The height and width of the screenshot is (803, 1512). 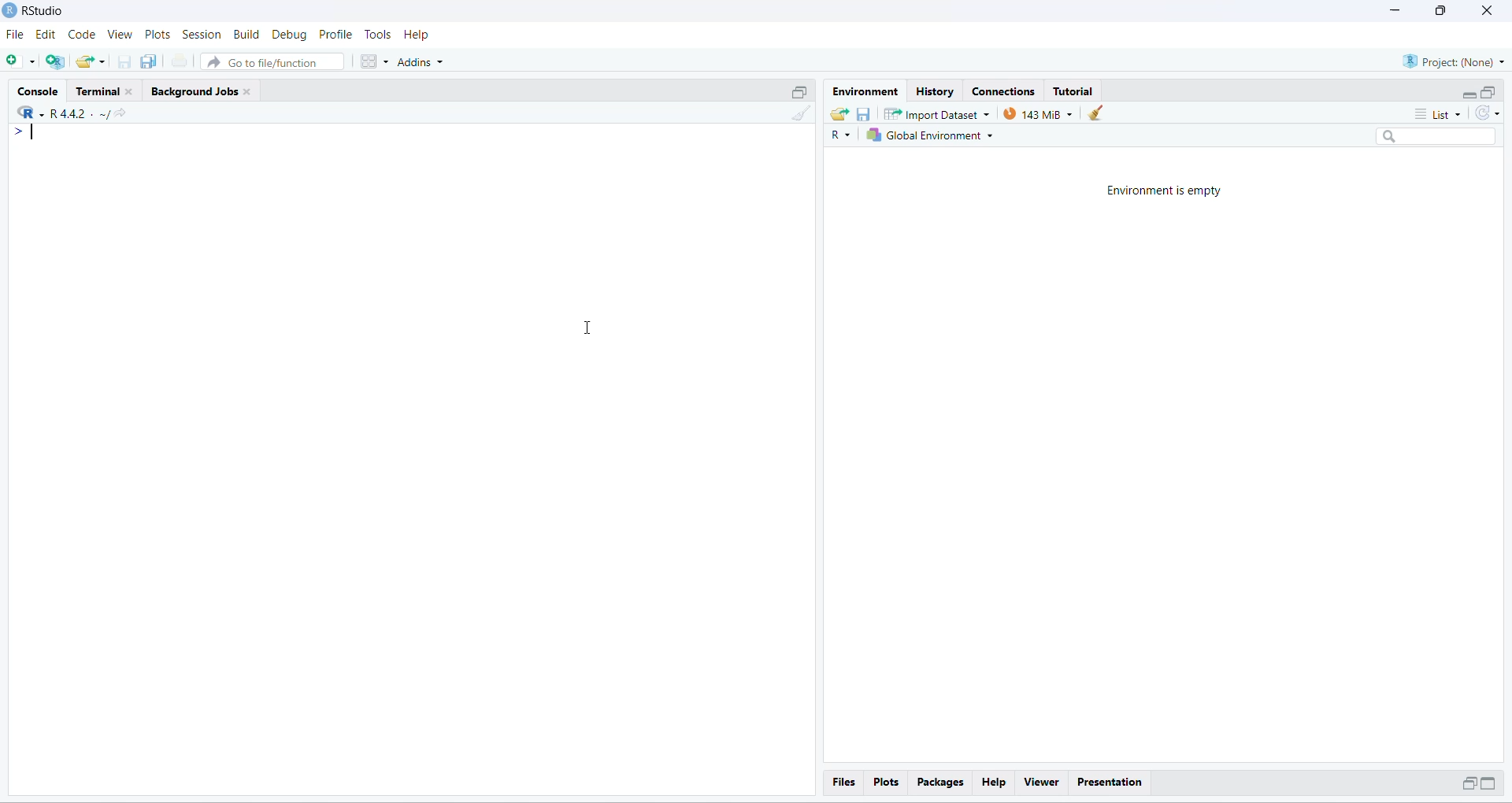 What do you see at coordinates (272, 61) in the screenshot?
I see `go to file/function` at bounding box center [272, 61].